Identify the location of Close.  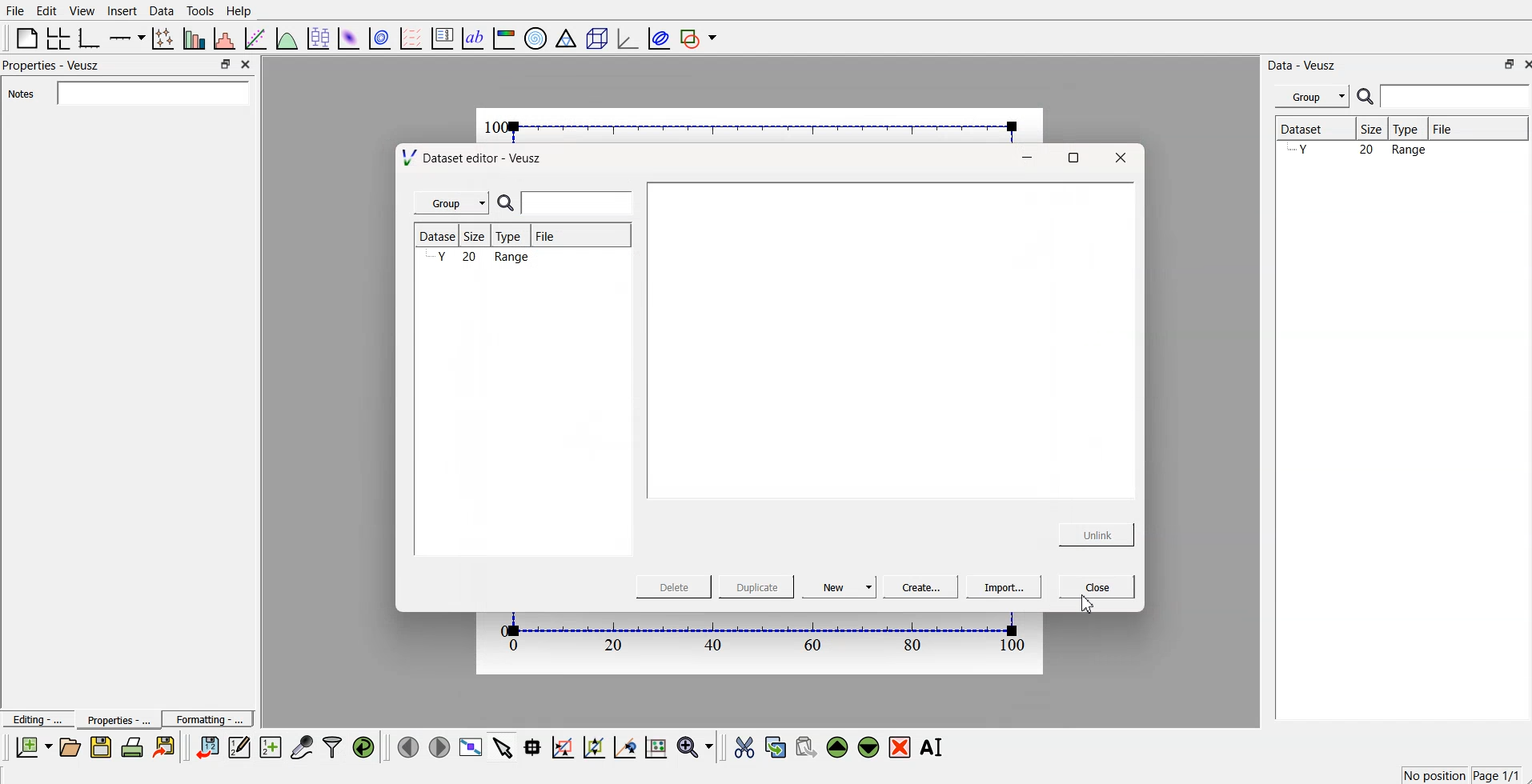
(1120, 159).